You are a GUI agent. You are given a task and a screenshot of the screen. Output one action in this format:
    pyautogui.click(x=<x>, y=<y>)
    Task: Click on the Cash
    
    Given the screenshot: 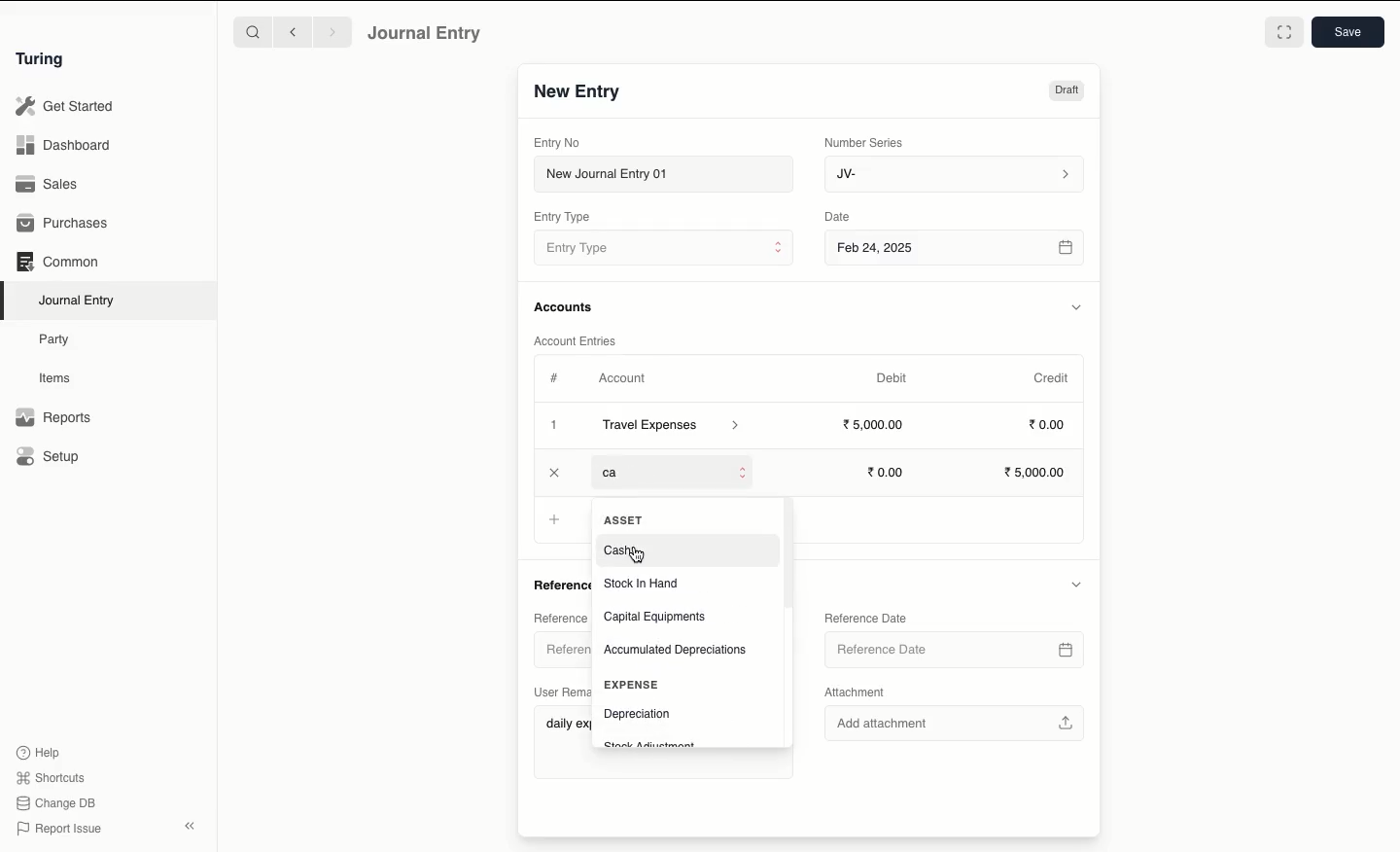 What is the action you would take?
    pyautogui.click(x=620, y=551)
    